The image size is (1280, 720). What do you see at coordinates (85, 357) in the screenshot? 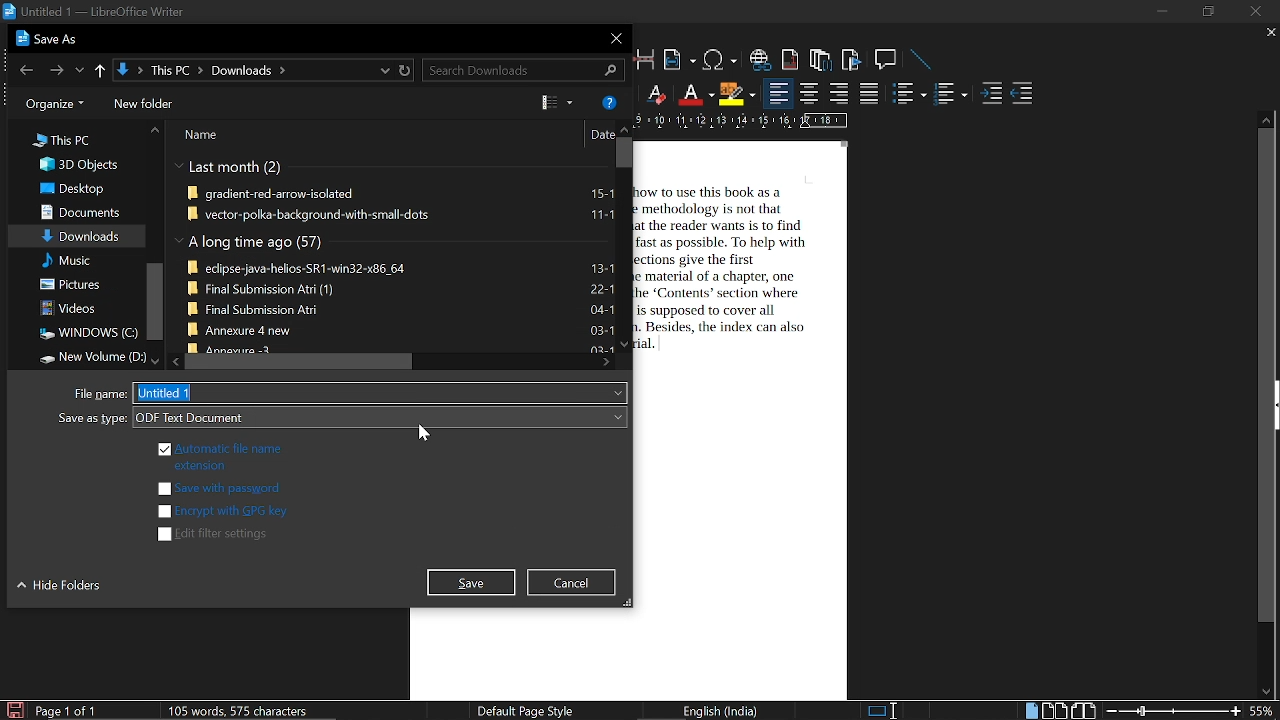
I see `New Volume D` at bounding box center [85, 357].